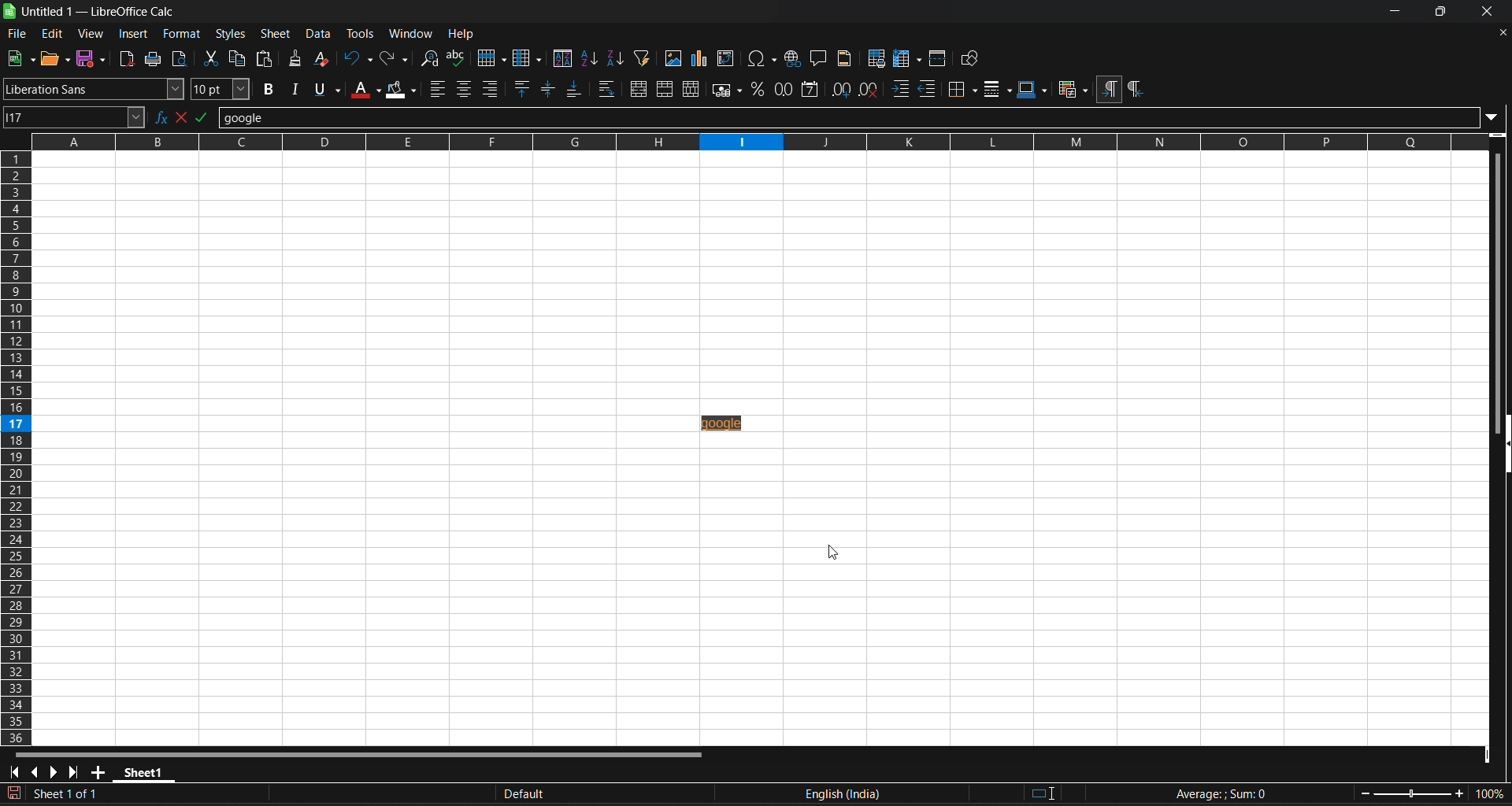 The image size is (1512, 806). What do you see at coordinates (904, 794) in the screenshot?
I see `text language ` at bounding box center [904, 794].